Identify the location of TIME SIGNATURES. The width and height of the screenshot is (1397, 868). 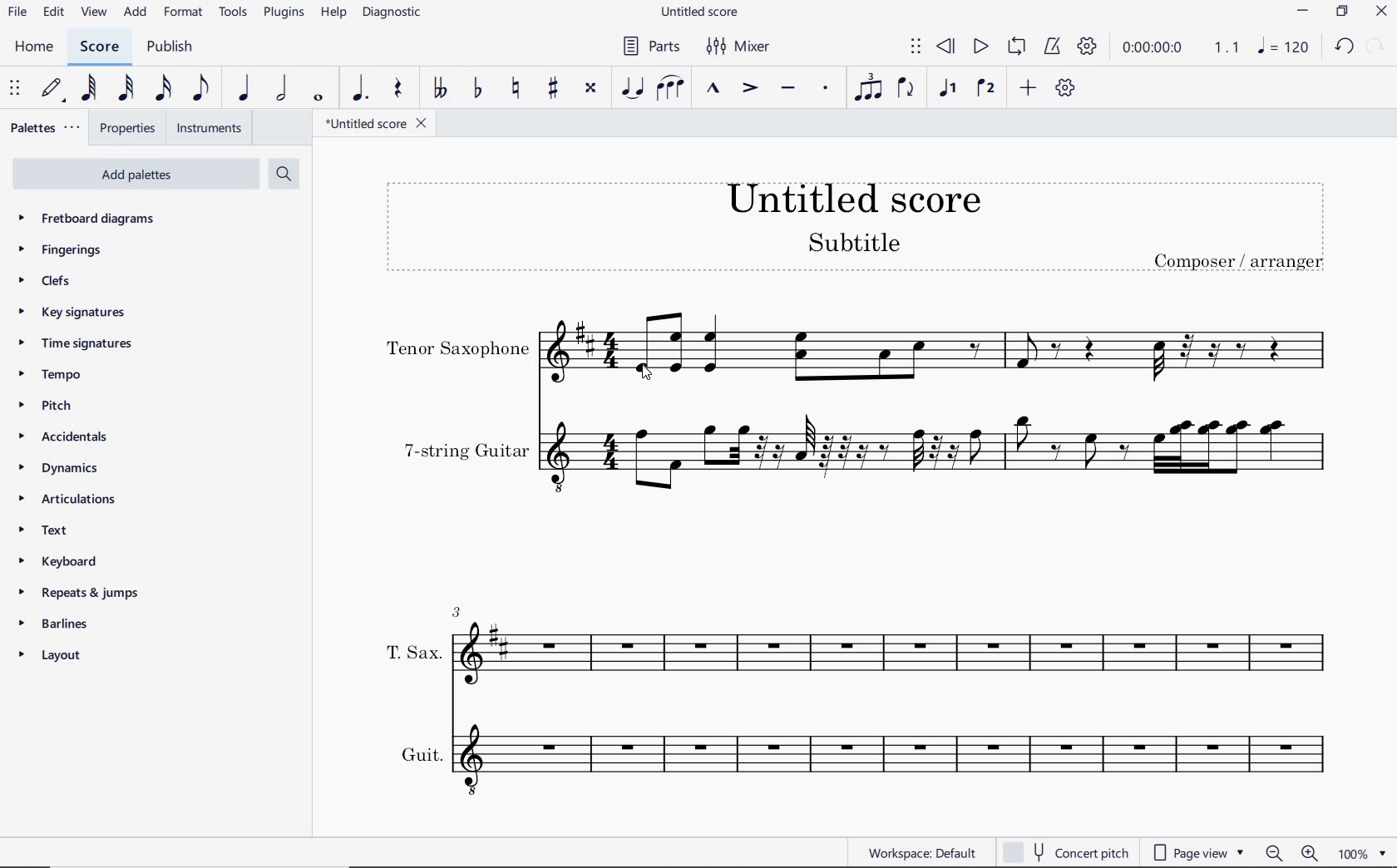
(74, 343).